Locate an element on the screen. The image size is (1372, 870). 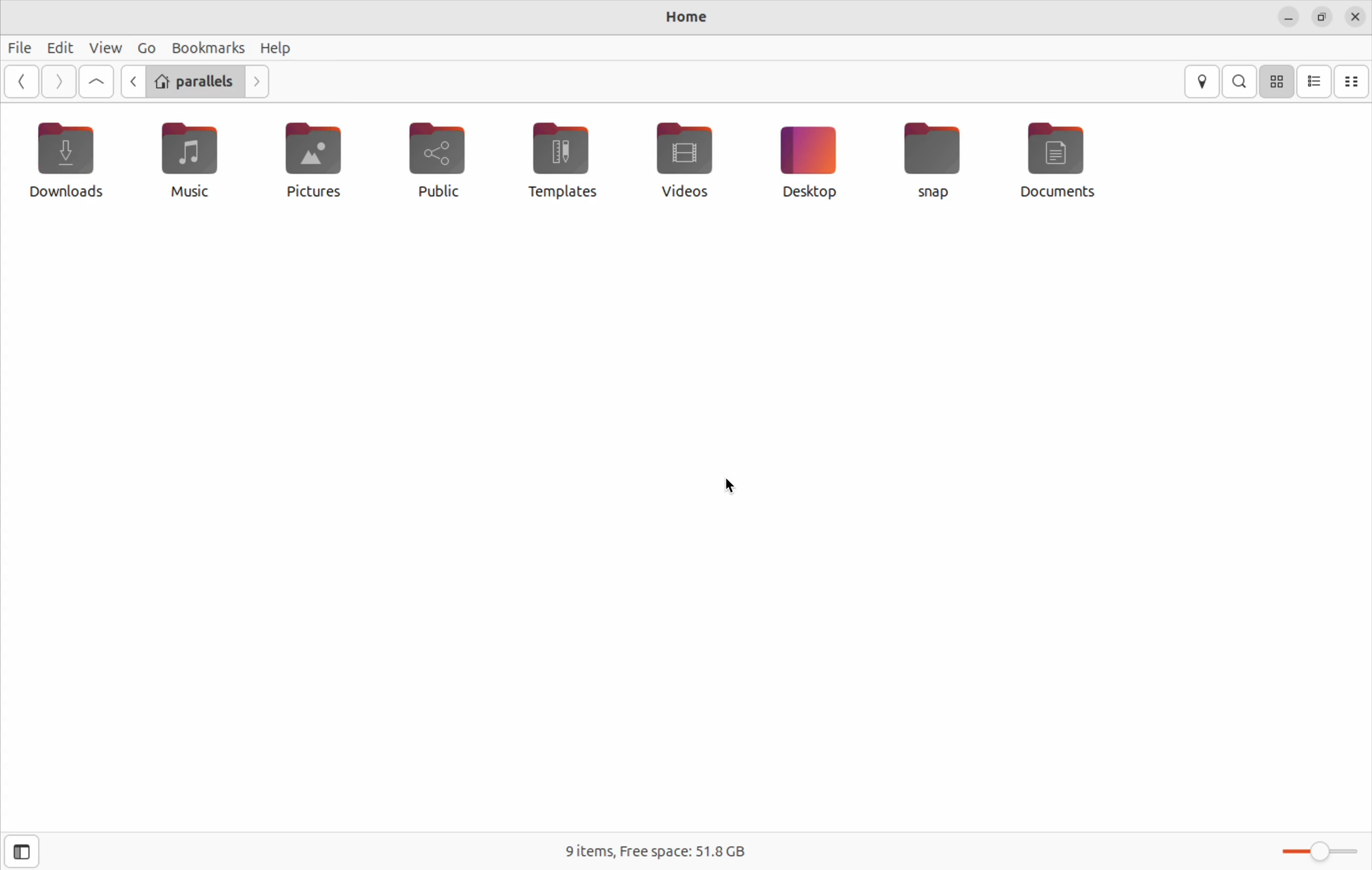
bookmarks is located at coordinates (208, 47).